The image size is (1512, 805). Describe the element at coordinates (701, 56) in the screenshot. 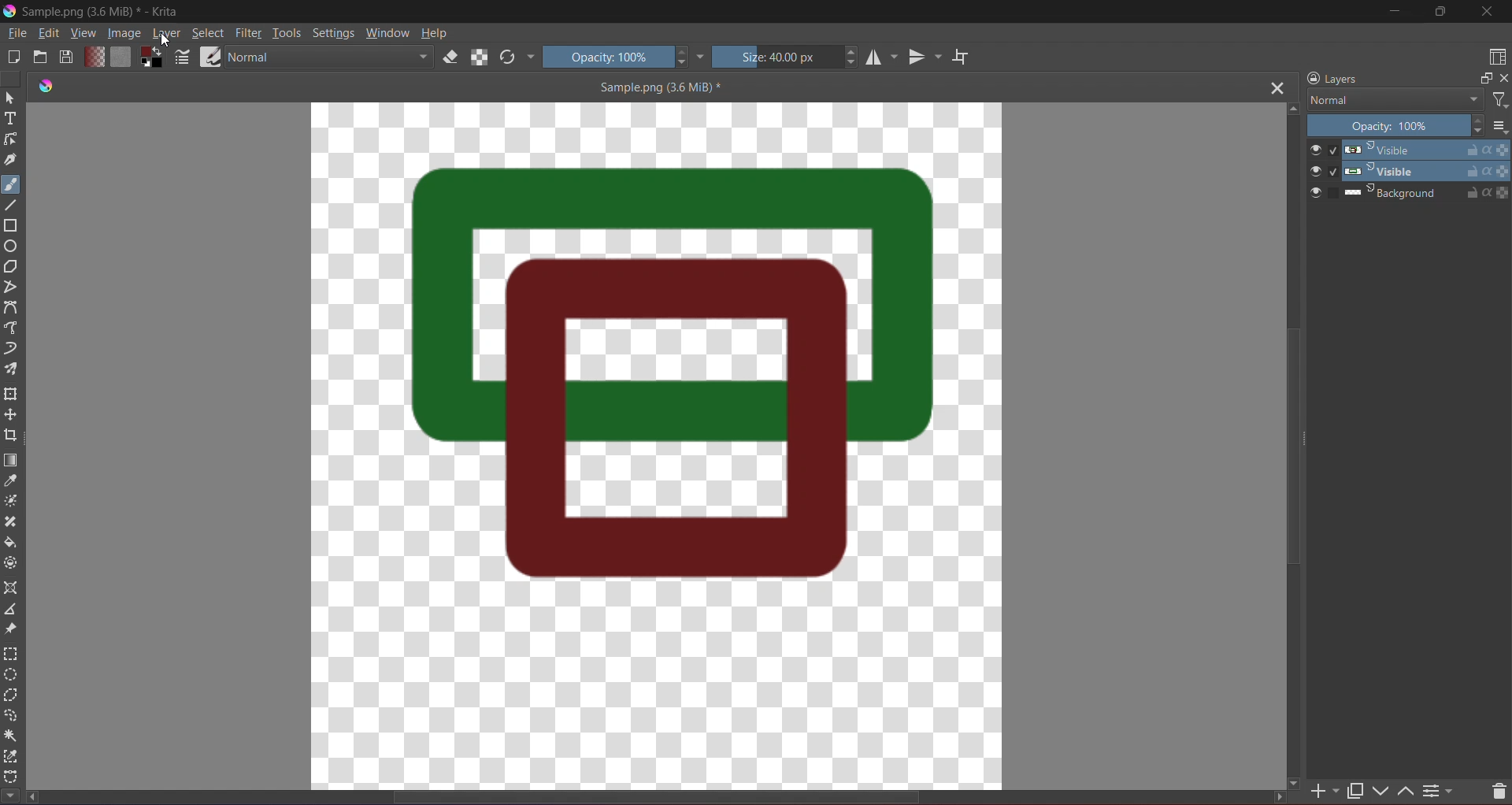

I see `Dropdown` at that location.